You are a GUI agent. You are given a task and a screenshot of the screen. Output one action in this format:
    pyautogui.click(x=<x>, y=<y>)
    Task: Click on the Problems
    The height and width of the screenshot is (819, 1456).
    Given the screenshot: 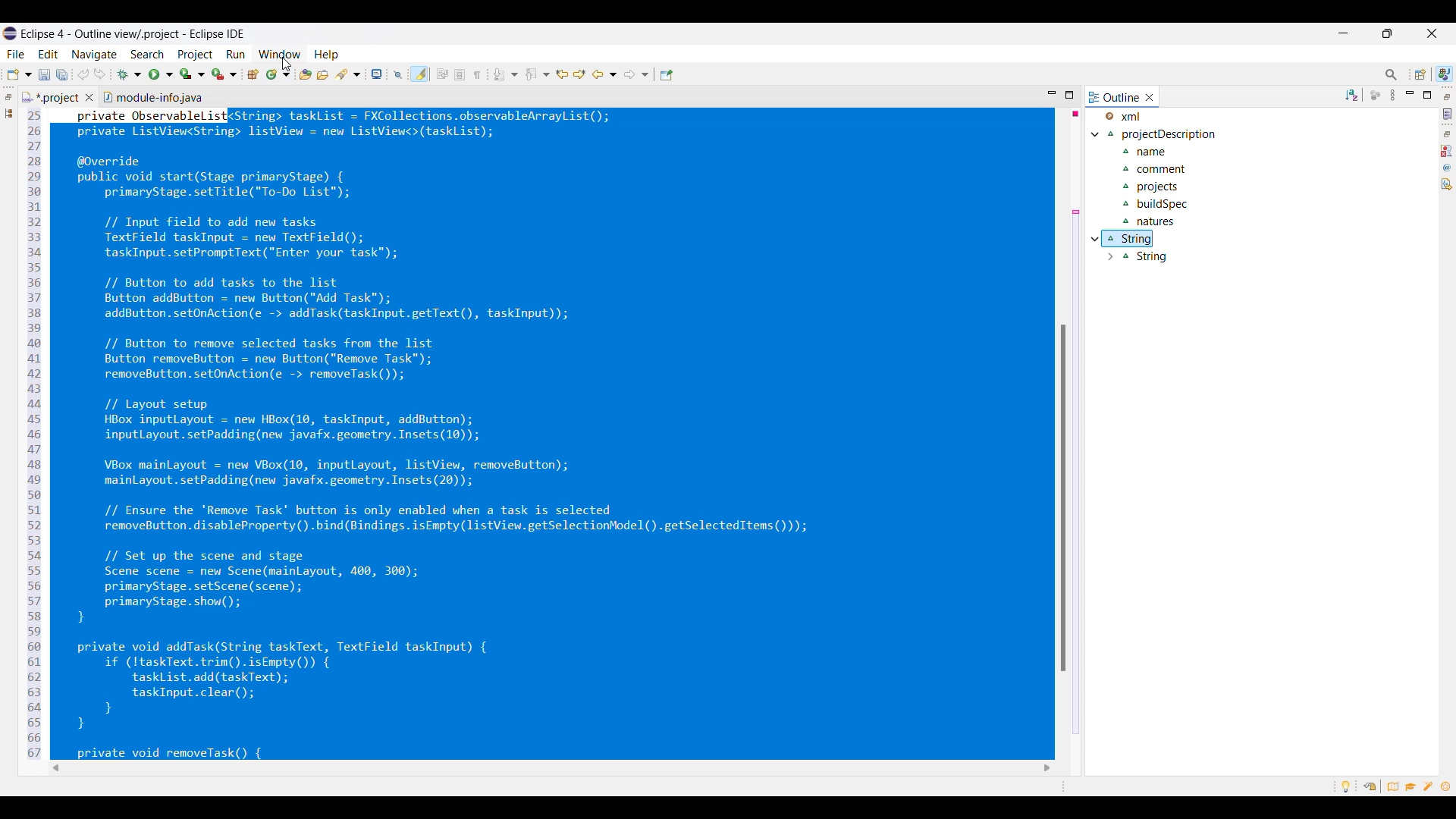 What is the action you would take?
    pyautogui.click(x=1446, y=151)
    